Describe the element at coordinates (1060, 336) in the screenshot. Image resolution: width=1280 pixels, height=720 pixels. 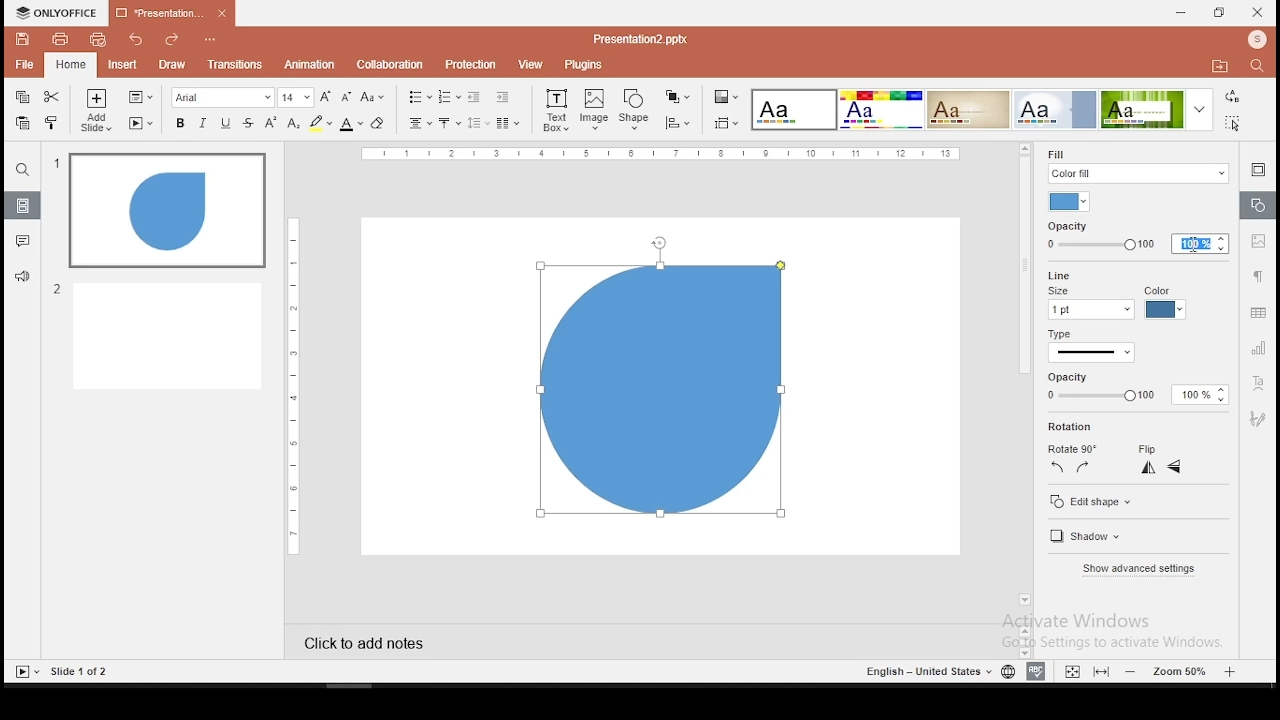
I see `type` at that location.